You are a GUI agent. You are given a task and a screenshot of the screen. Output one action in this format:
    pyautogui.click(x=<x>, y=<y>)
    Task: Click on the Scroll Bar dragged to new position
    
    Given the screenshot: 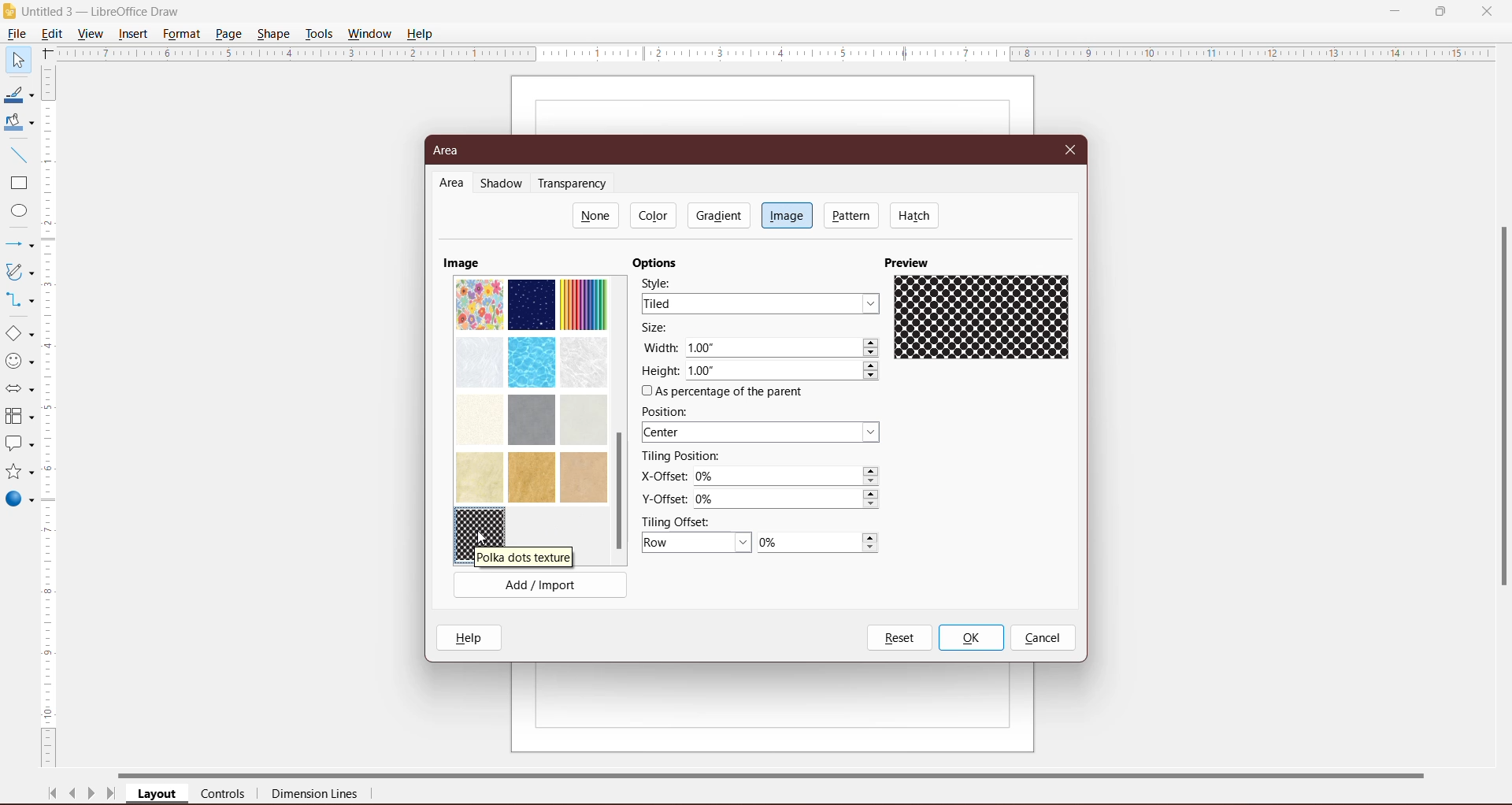 What is the action you would take?
    pyautogui.click(x=618, y=492)
    